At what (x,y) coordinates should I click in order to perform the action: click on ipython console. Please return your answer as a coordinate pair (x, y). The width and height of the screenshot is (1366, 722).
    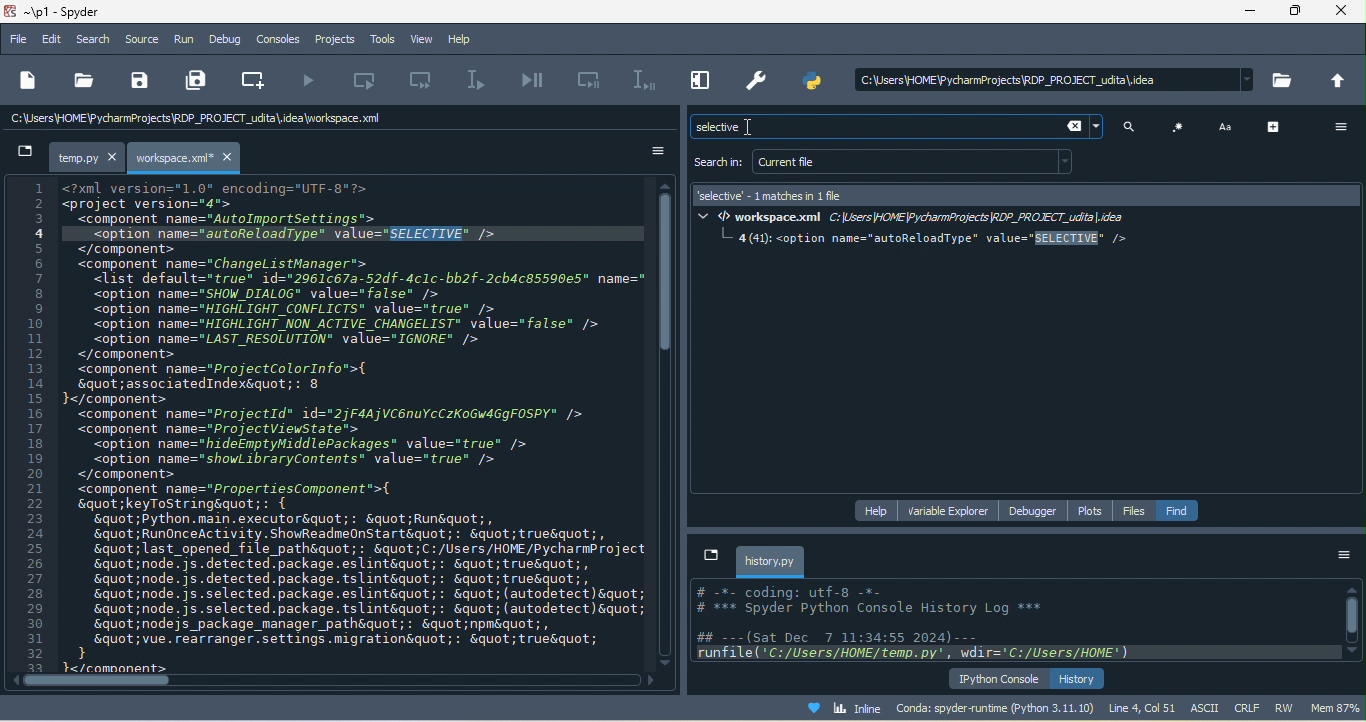
    Looking at the image, I should click on (999, 678).